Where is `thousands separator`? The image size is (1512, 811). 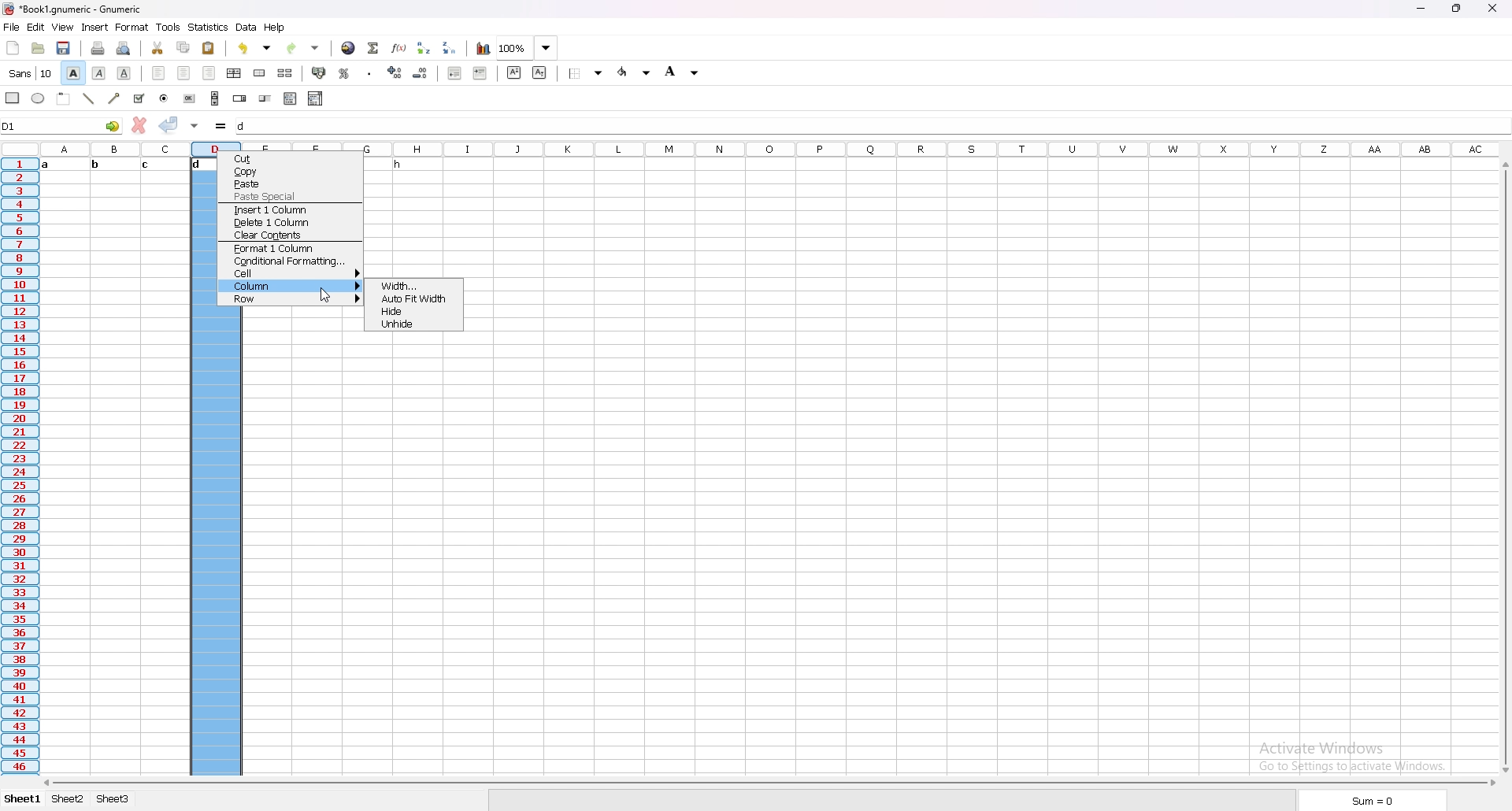 thousands separator is located at coordinates (370, 74).